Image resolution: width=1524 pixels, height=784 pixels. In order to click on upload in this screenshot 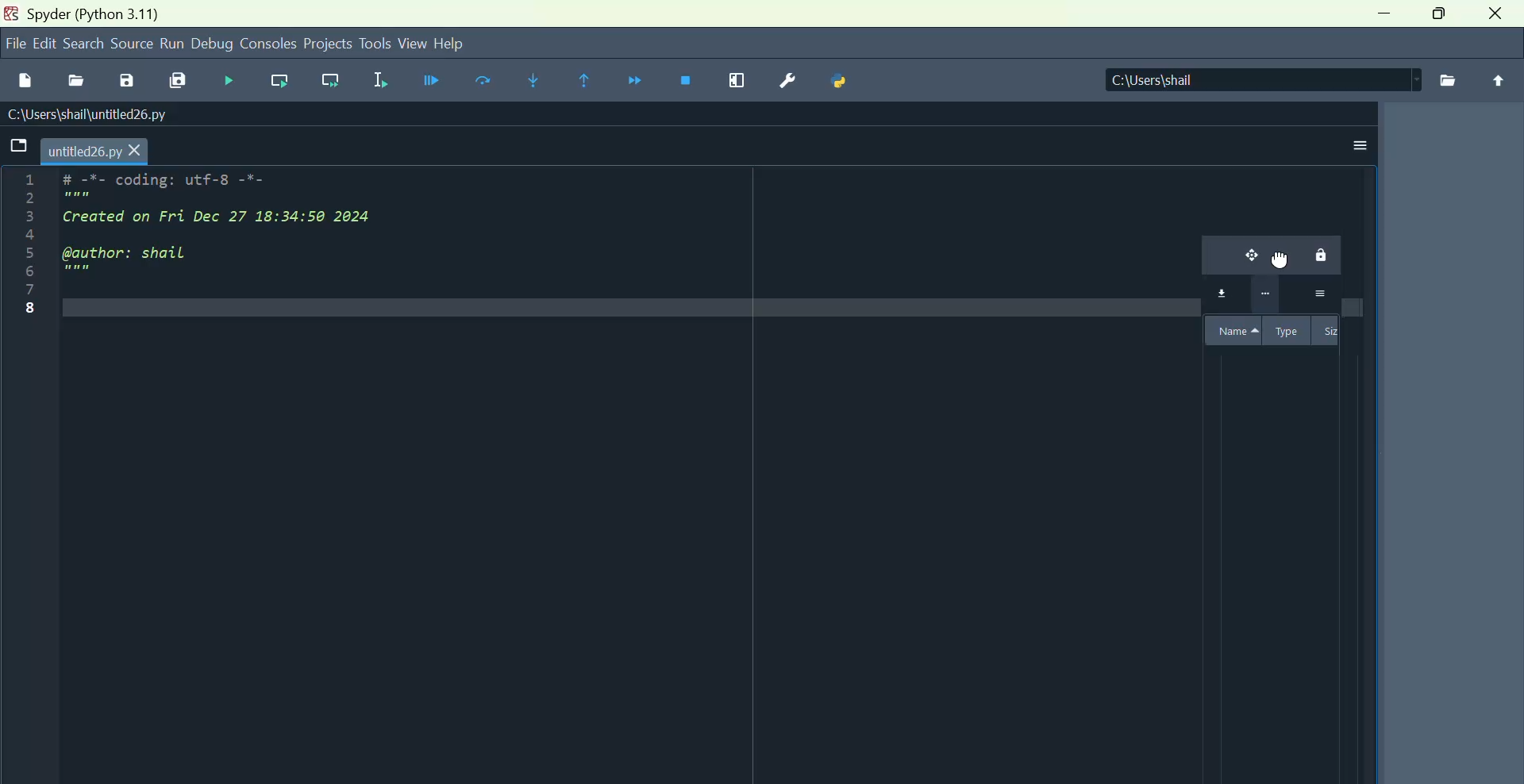, I will do `click(1499, 80)`.